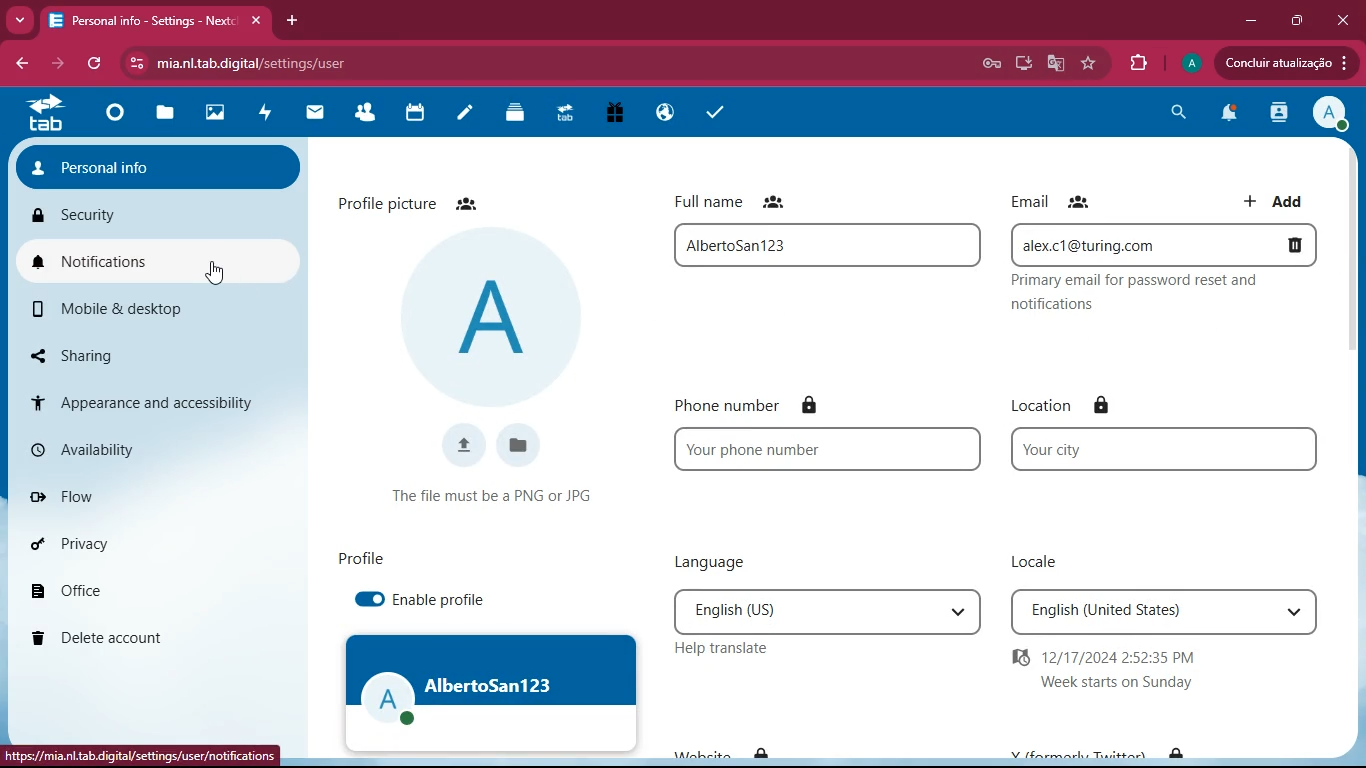  What do you see at coordinates (45, 115) in the screenshot?
I see `tab` at bounding box center [45, 115].